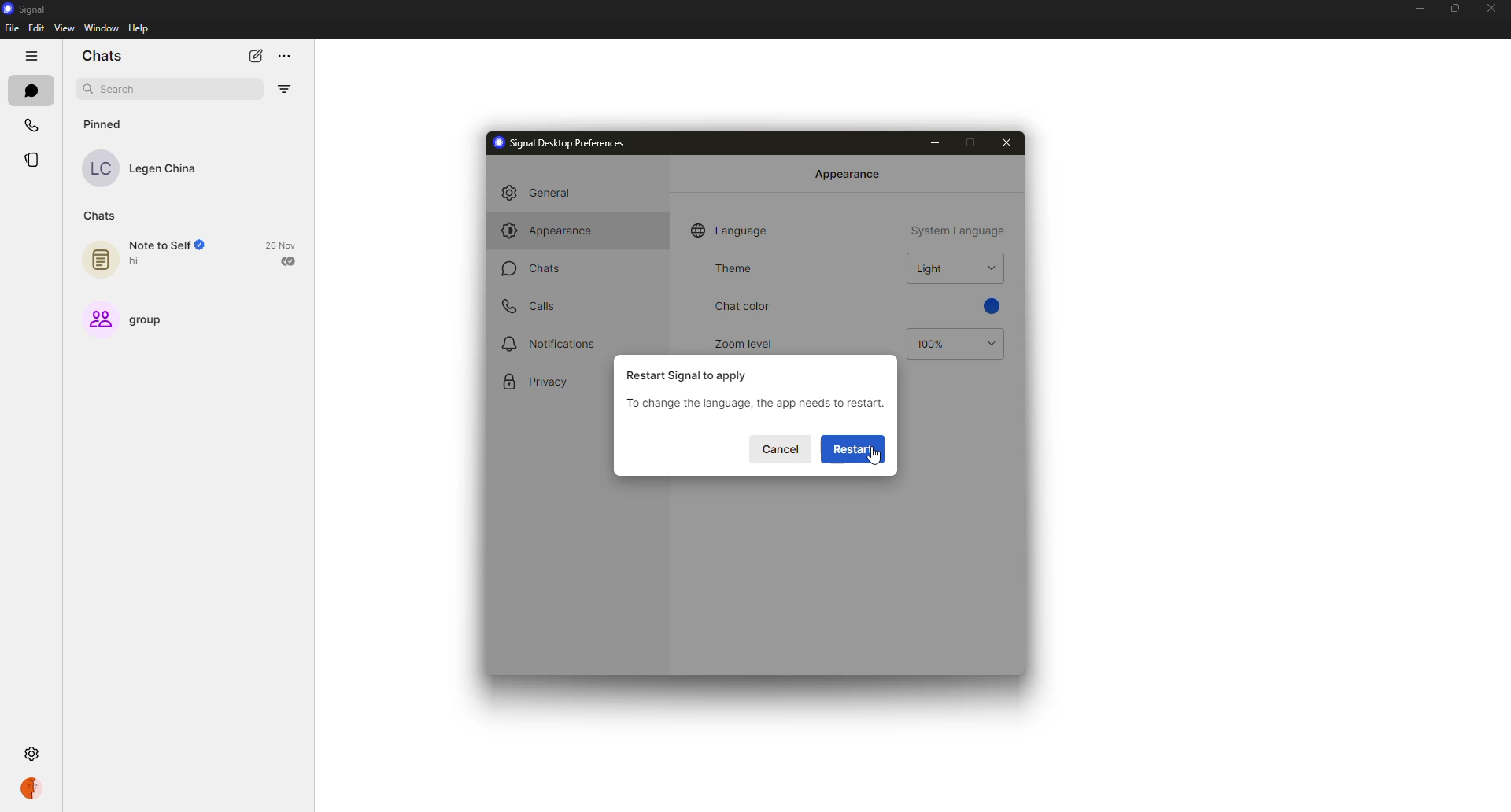 Image resolution: width=1511 pixels, height=812 pixels. Describe the element at coordinates (733, 270) in the screenshot. I see `theme` at that location.